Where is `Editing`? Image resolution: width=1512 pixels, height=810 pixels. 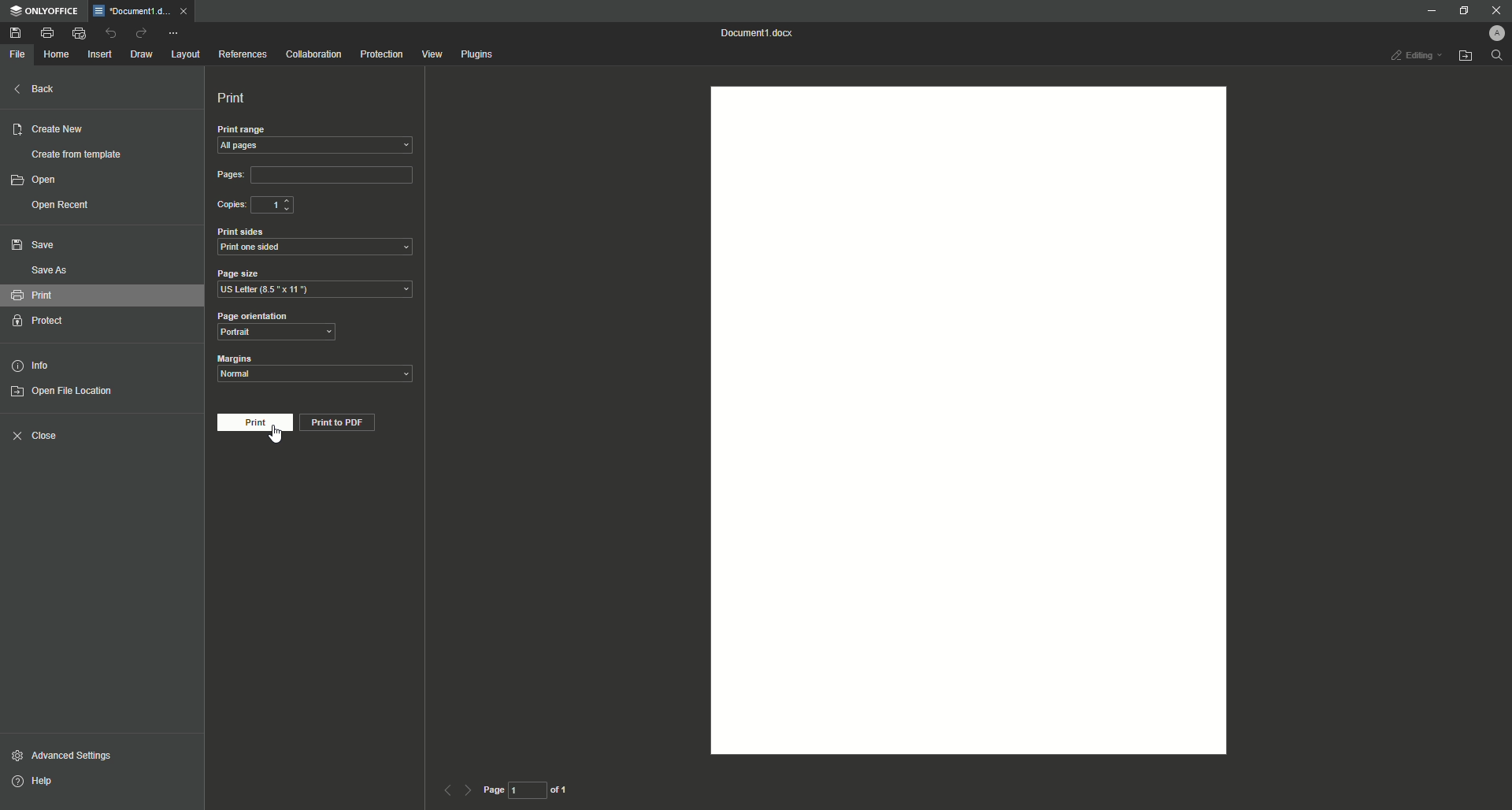
Editing is located at coordinates (1410, 56).